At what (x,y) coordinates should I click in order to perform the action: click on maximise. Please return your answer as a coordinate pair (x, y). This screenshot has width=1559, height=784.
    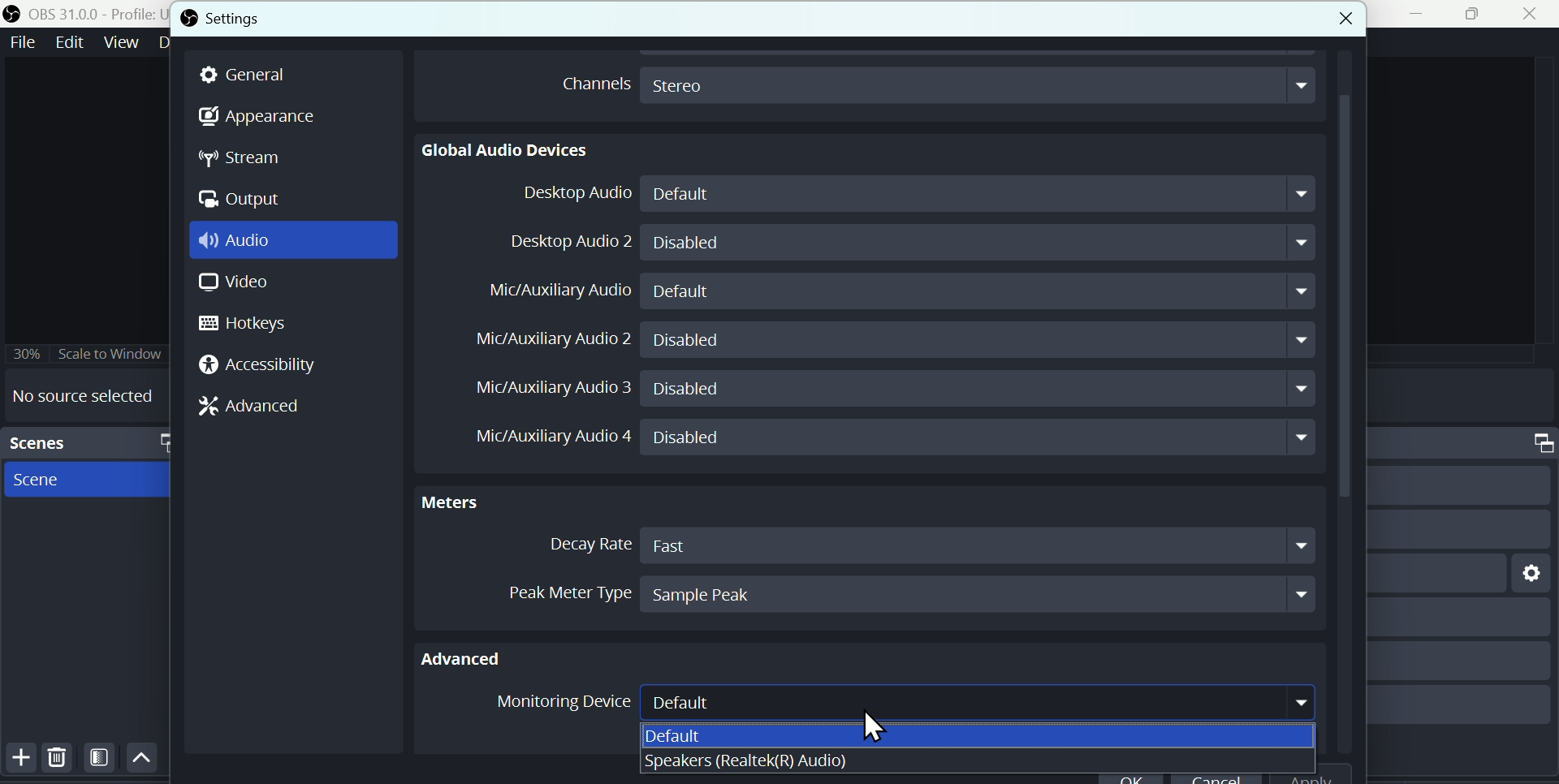
    Looking at the image, I should click on (1476, 15).